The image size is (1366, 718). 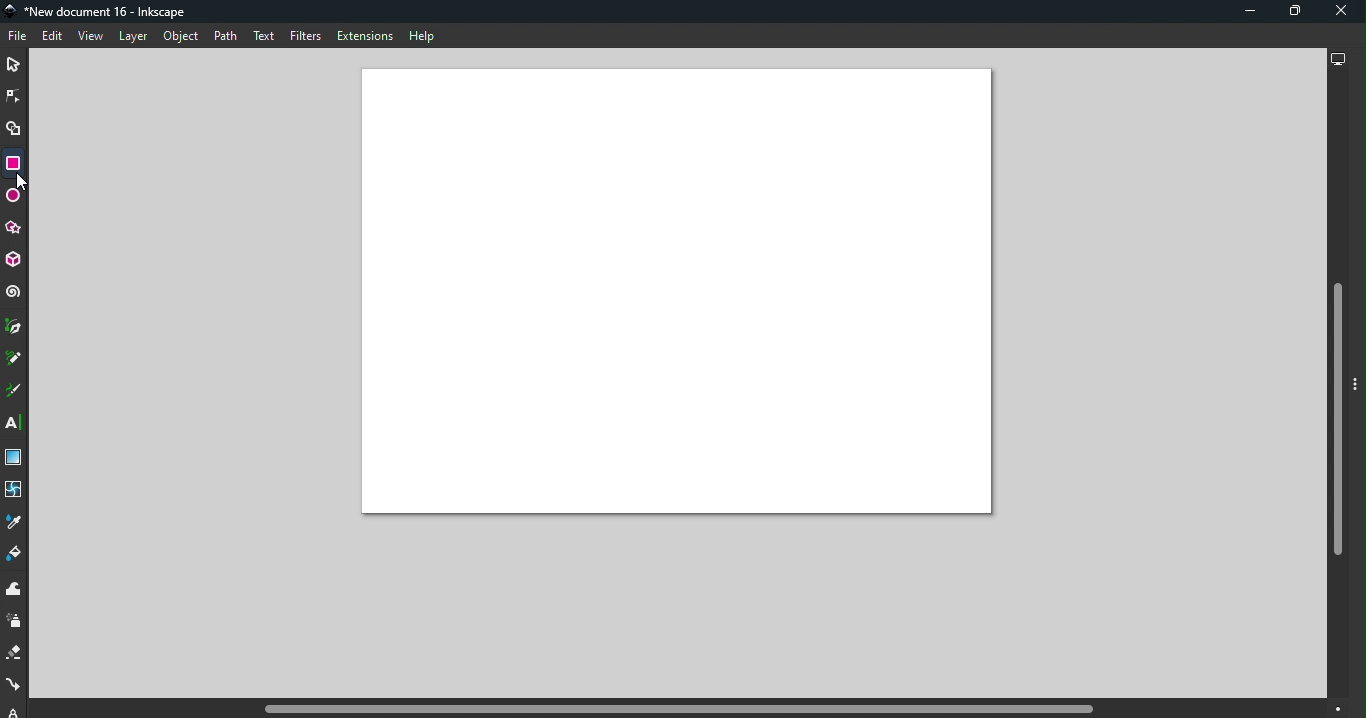 What do you see at coordinates (14, 292) in the screenshot?
I see `Spiral tool` at bounding box center [14, 292].